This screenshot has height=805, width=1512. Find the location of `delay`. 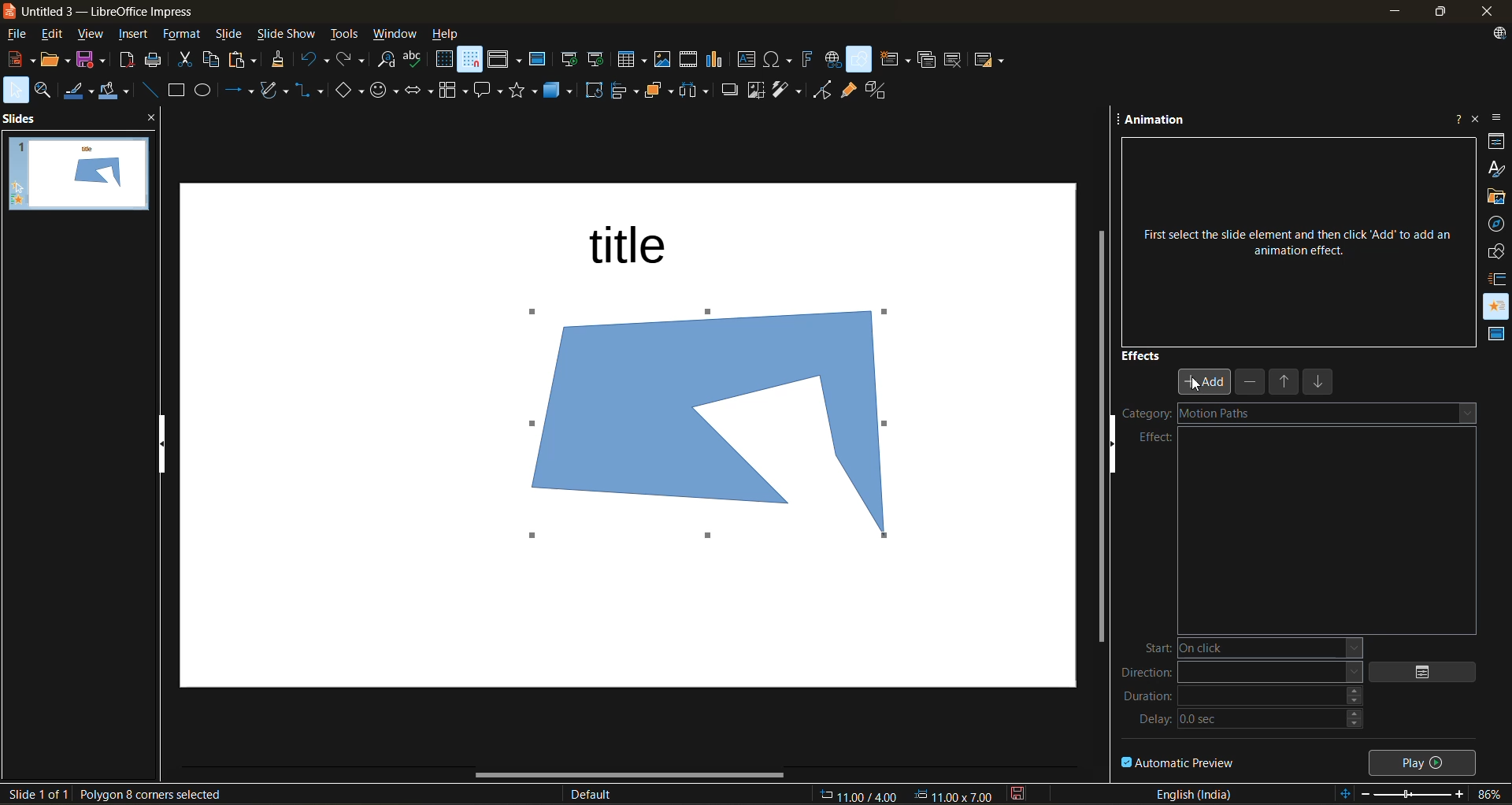

delay is located at coordinates (1246, 720).